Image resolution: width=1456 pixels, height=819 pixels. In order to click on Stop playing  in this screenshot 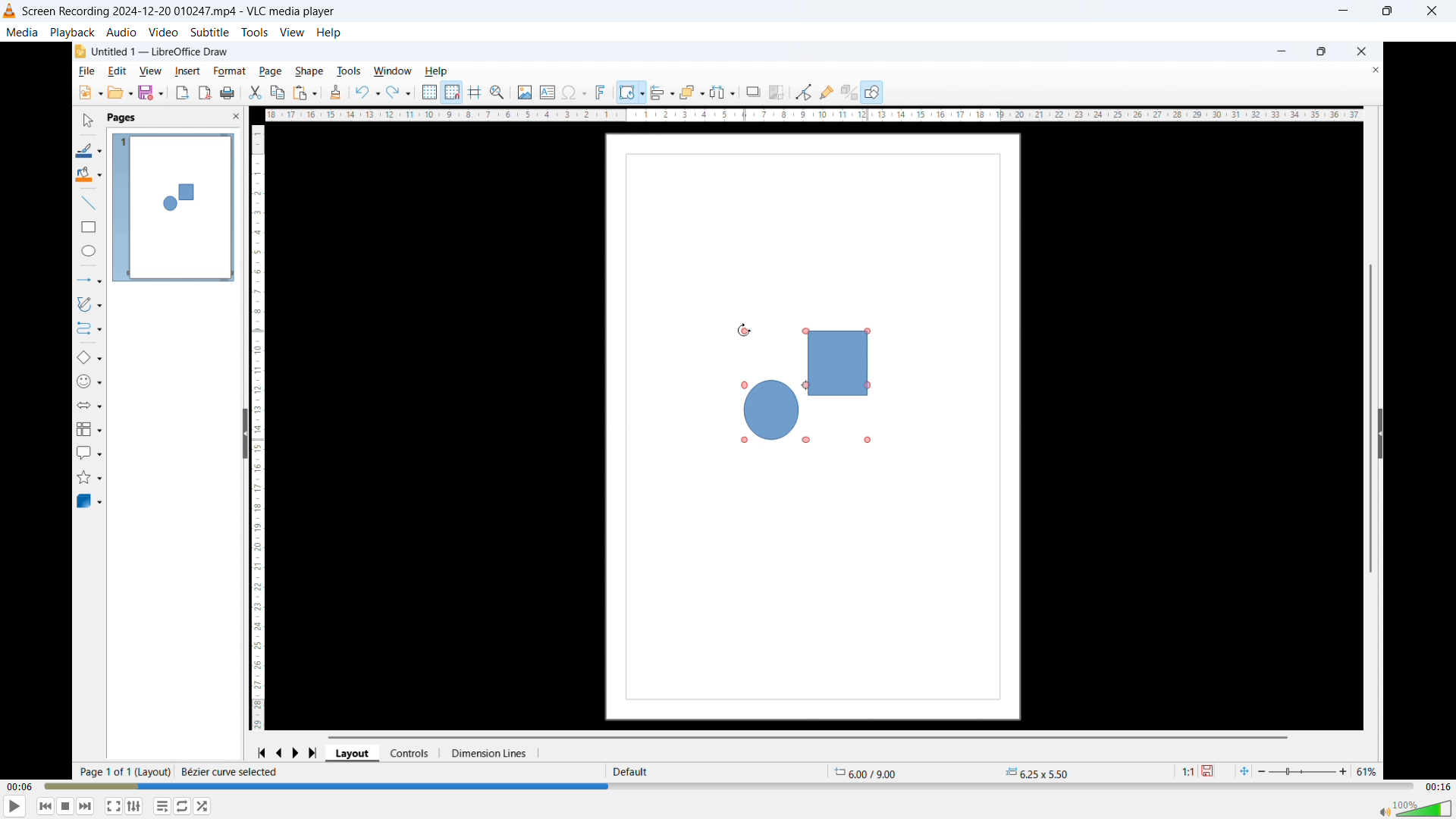, I will do `click(66, 806)`.